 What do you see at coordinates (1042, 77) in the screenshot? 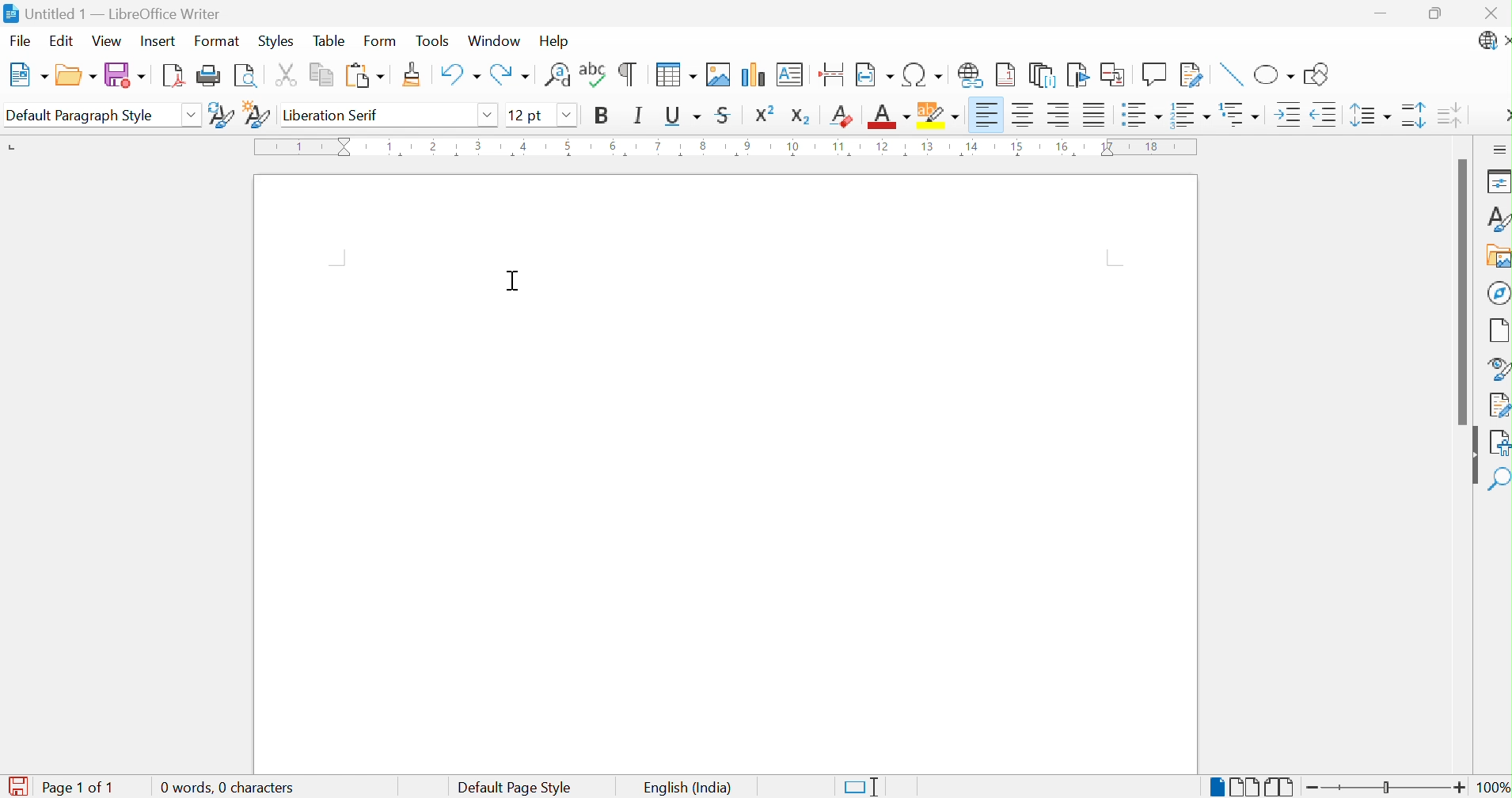
I see `Insert Endnote` at bounding box center [1042, 77].